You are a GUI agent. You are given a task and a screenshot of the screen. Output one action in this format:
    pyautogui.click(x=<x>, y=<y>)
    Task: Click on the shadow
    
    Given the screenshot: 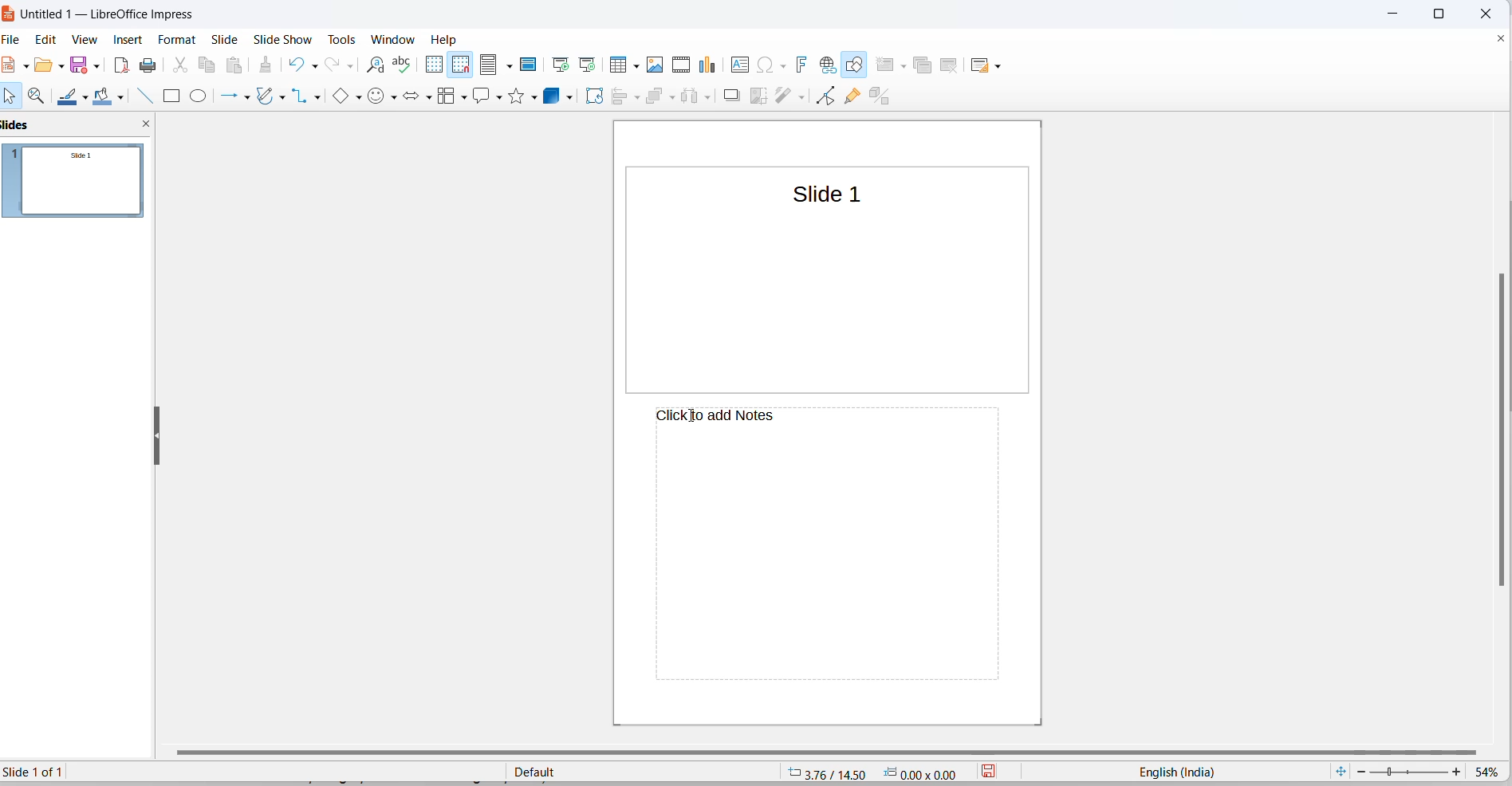 What is the action you would take?
    pyautogui.click(x=730, y=96)
    